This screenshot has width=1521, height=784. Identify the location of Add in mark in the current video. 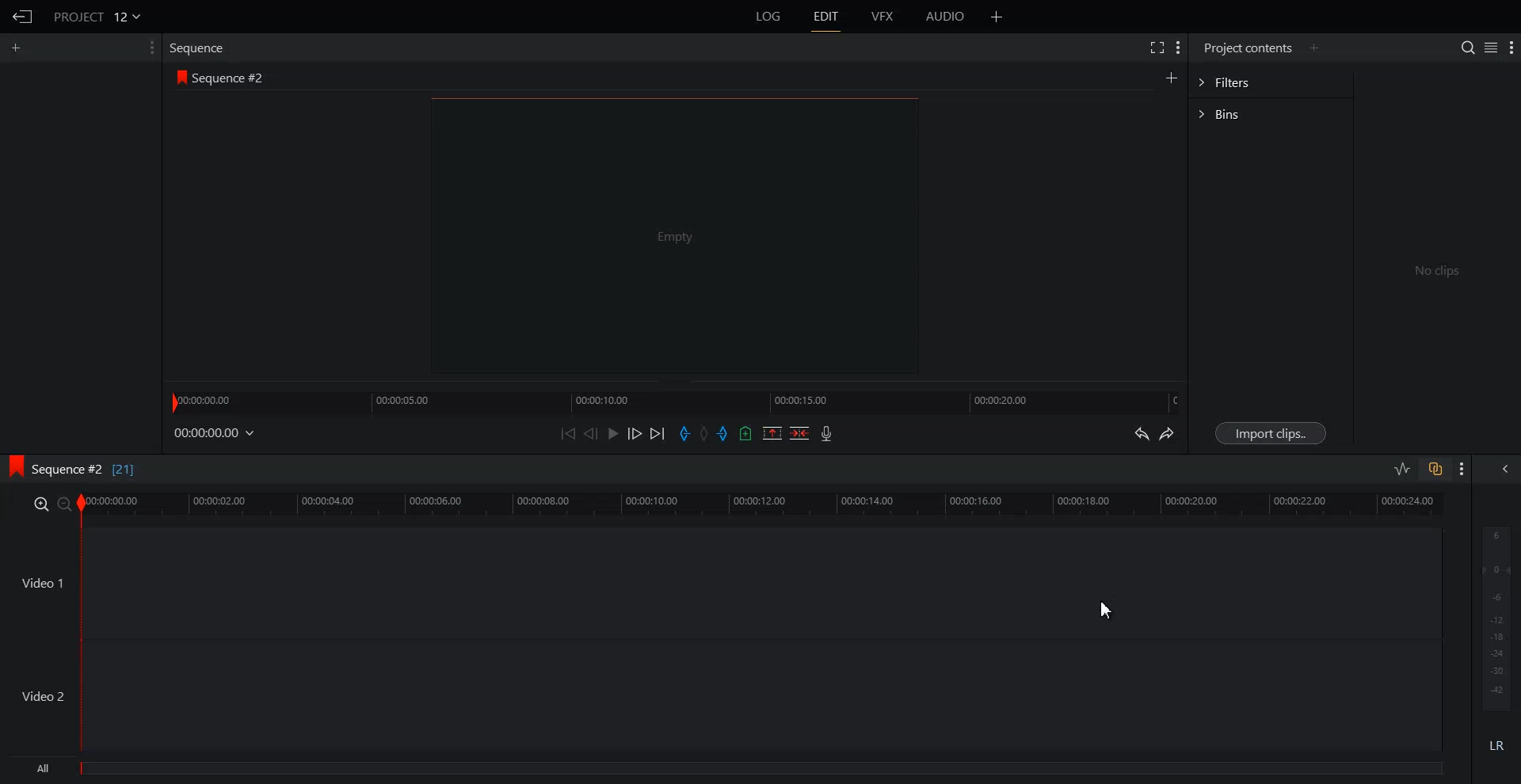
(684, 434).